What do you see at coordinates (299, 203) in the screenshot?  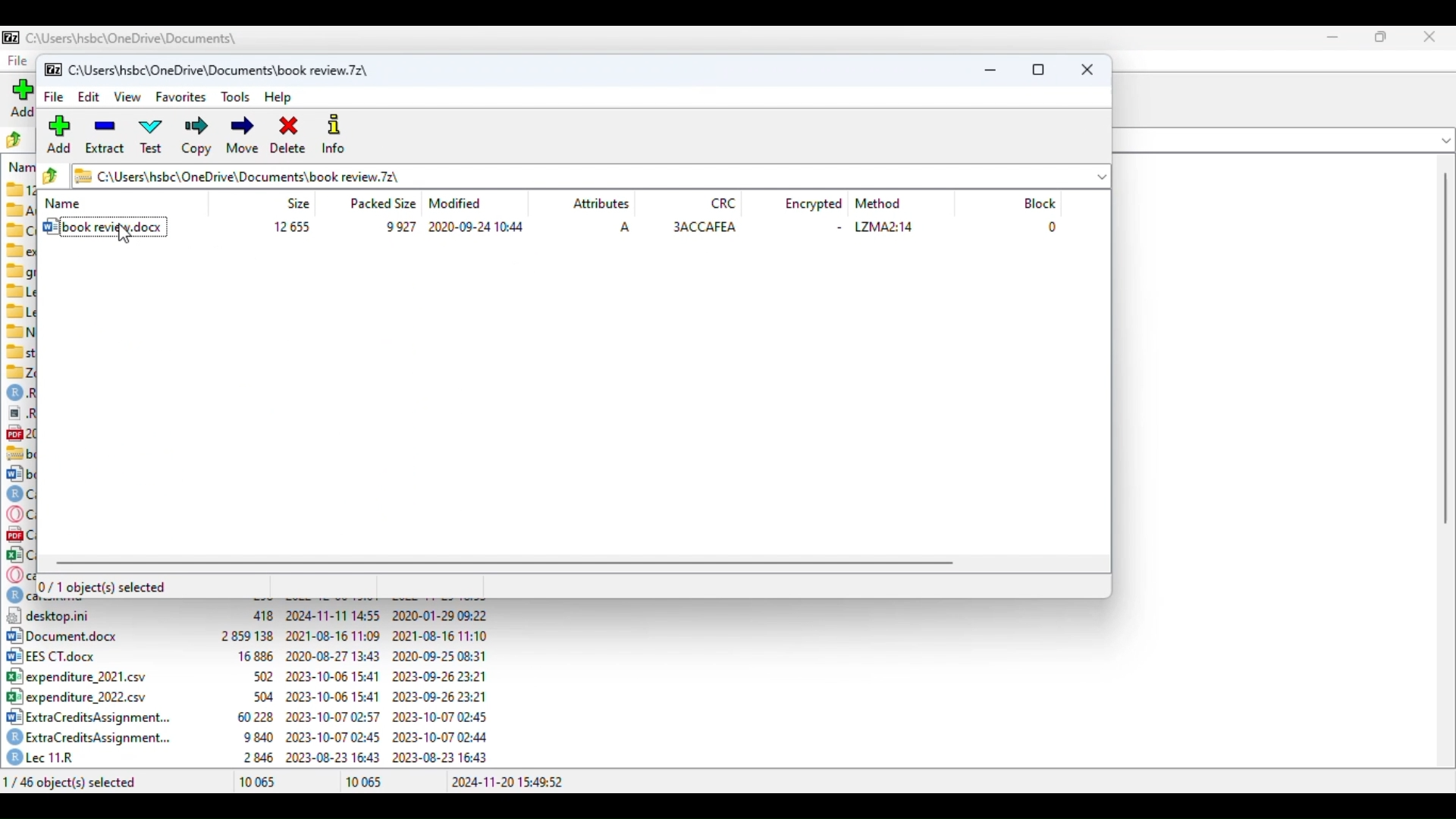 I see `size` at bounding box center [299, 203].